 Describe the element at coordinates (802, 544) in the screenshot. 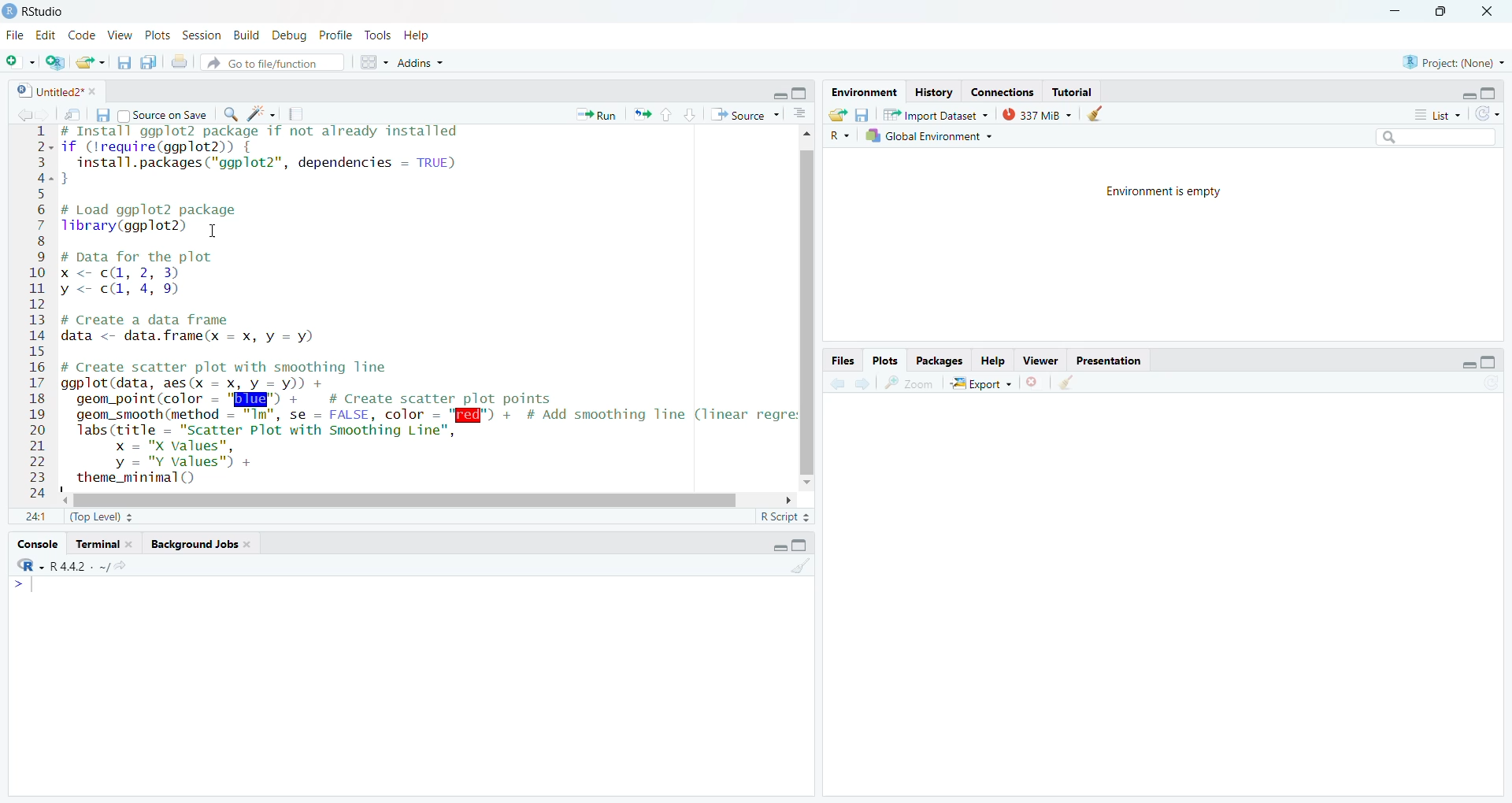

I see `hide console` at that location.